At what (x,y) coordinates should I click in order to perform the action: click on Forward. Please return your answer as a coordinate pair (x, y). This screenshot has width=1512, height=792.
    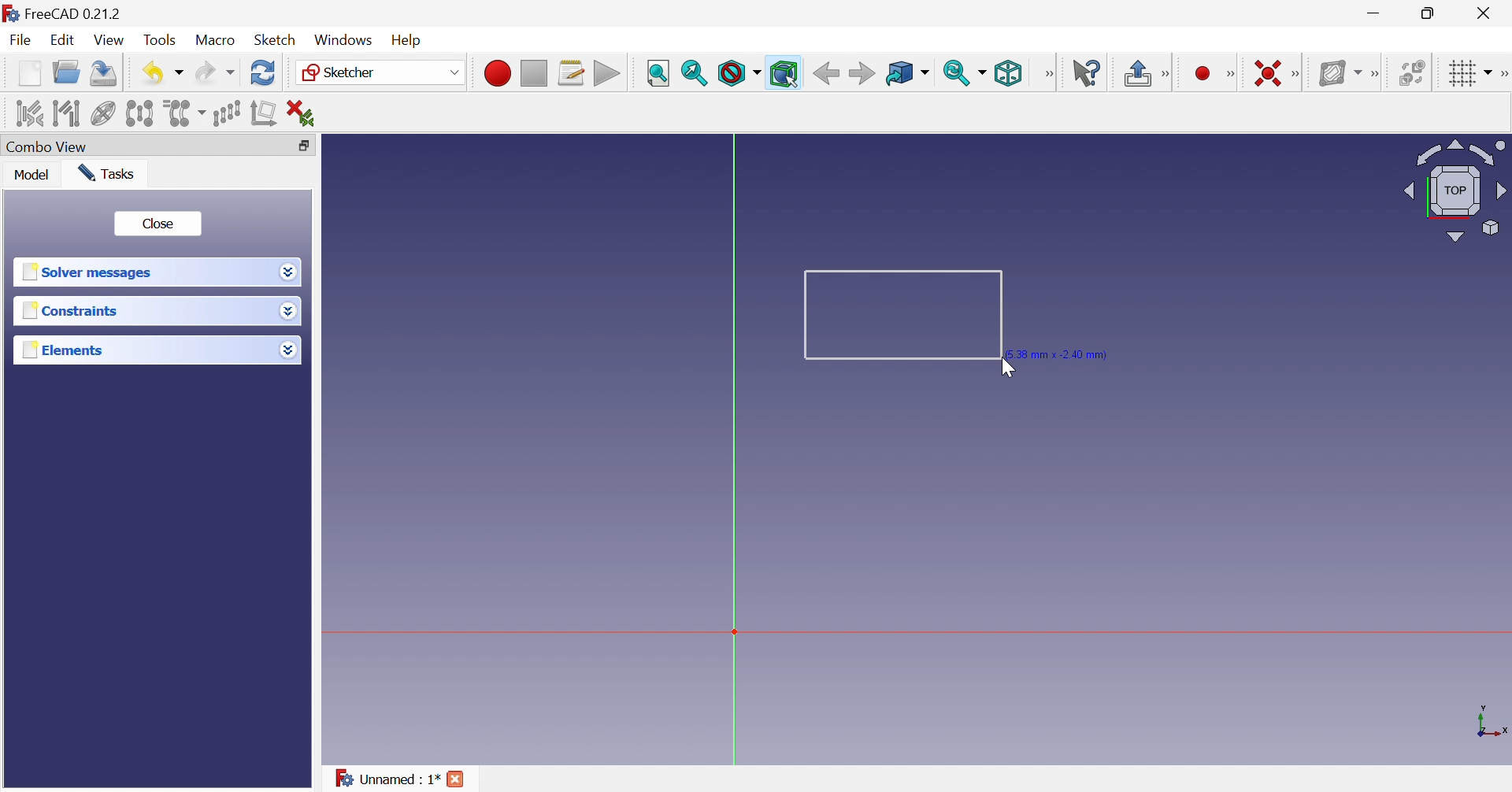
    Looking at the image, I should click on (862, 74).